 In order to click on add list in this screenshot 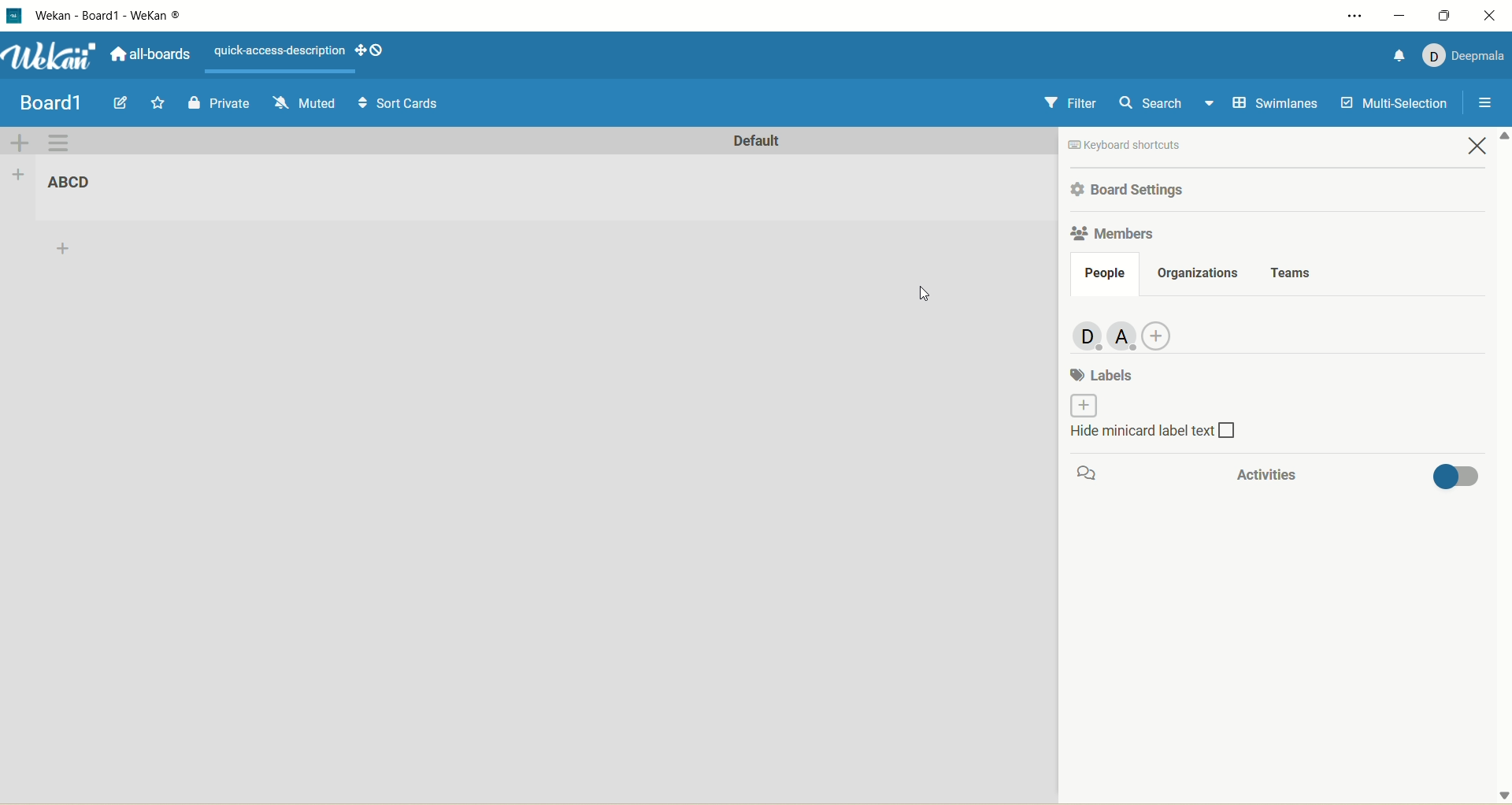, I will do `click(18, 175)`.